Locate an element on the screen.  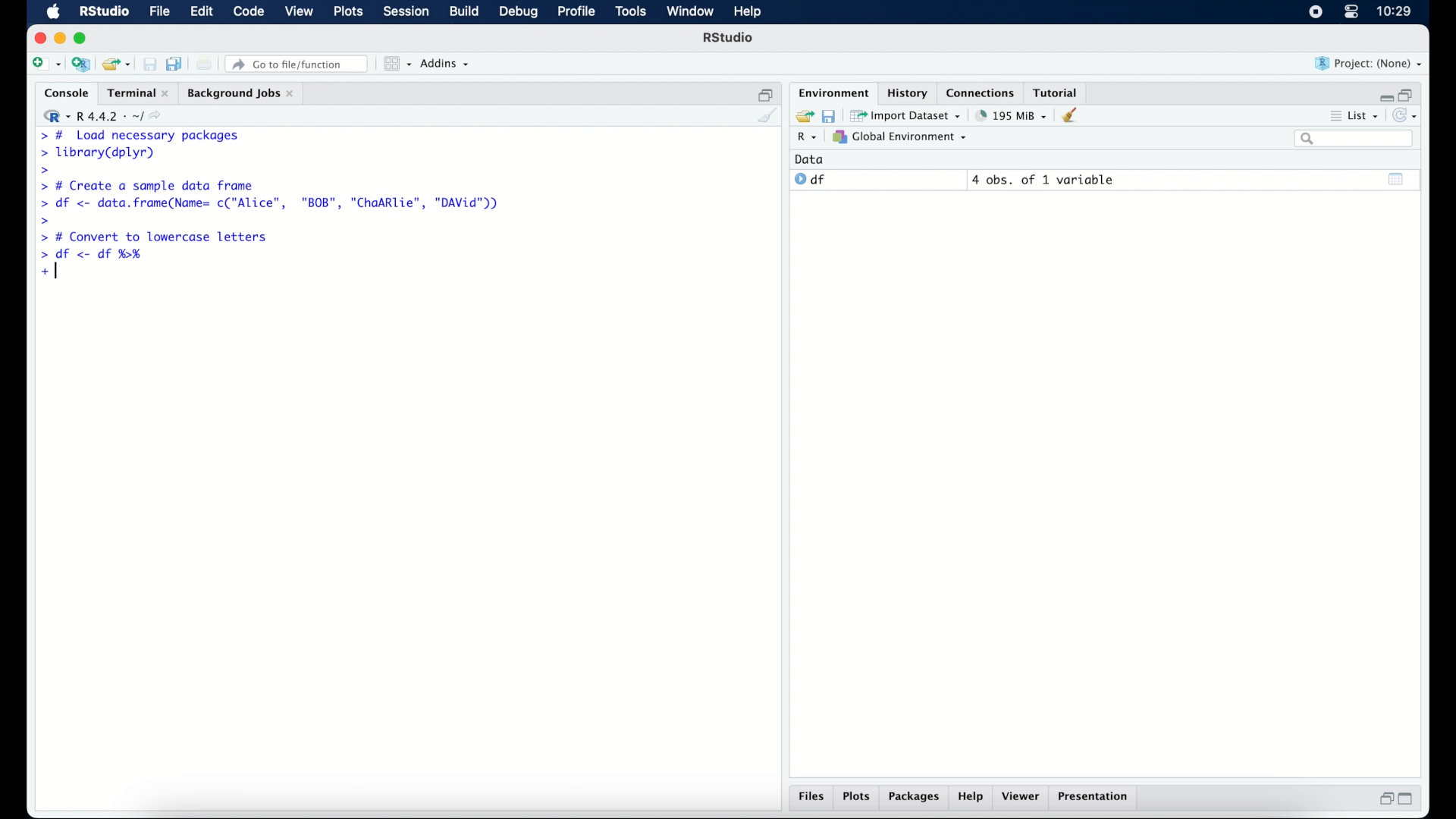
edit is located at coordinates (200, 12).